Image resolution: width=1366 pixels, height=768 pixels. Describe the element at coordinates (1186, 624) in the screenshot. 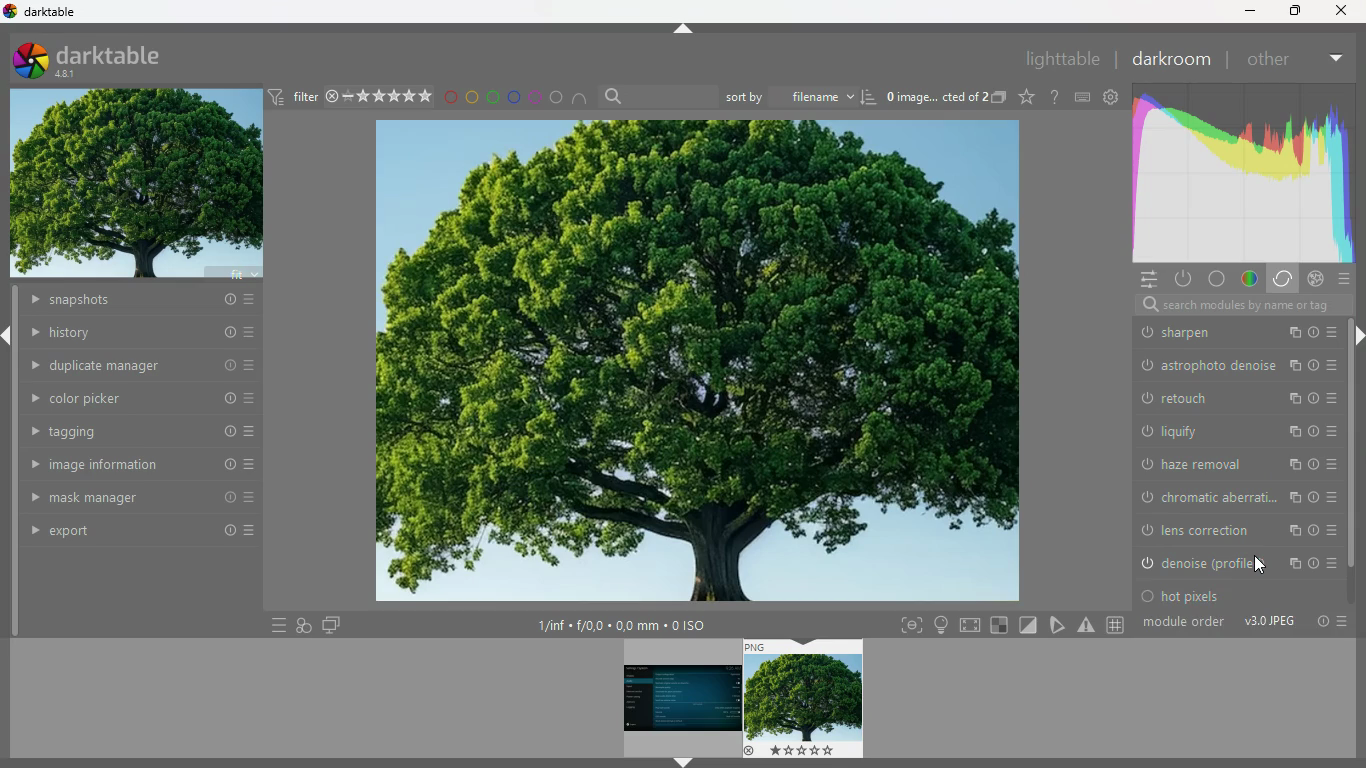

I see `module order` at that location.